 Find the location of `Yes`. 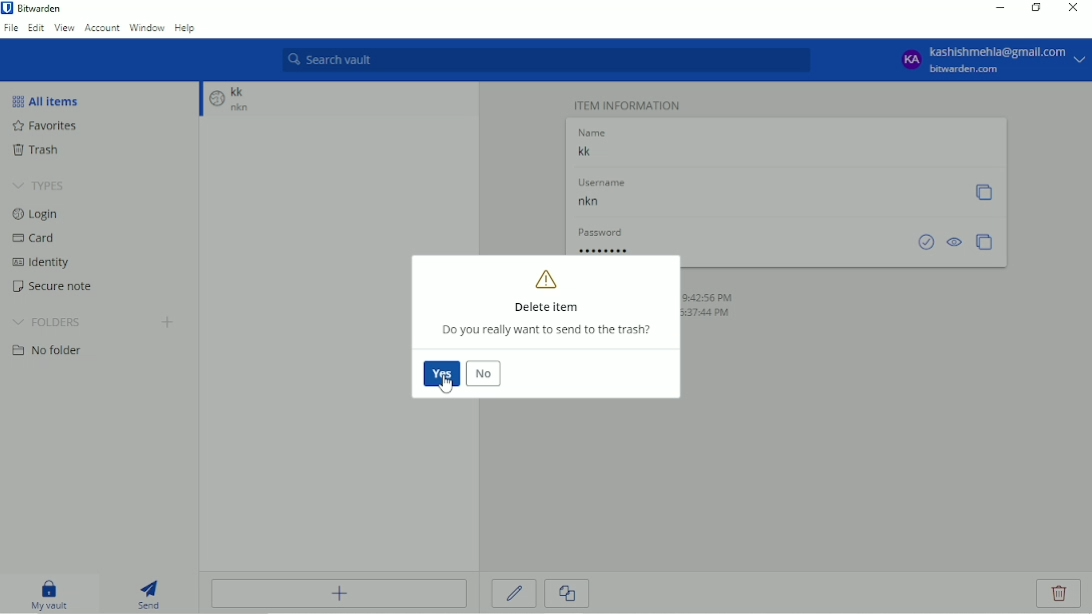

Yes is located at coordinates (441, 375).